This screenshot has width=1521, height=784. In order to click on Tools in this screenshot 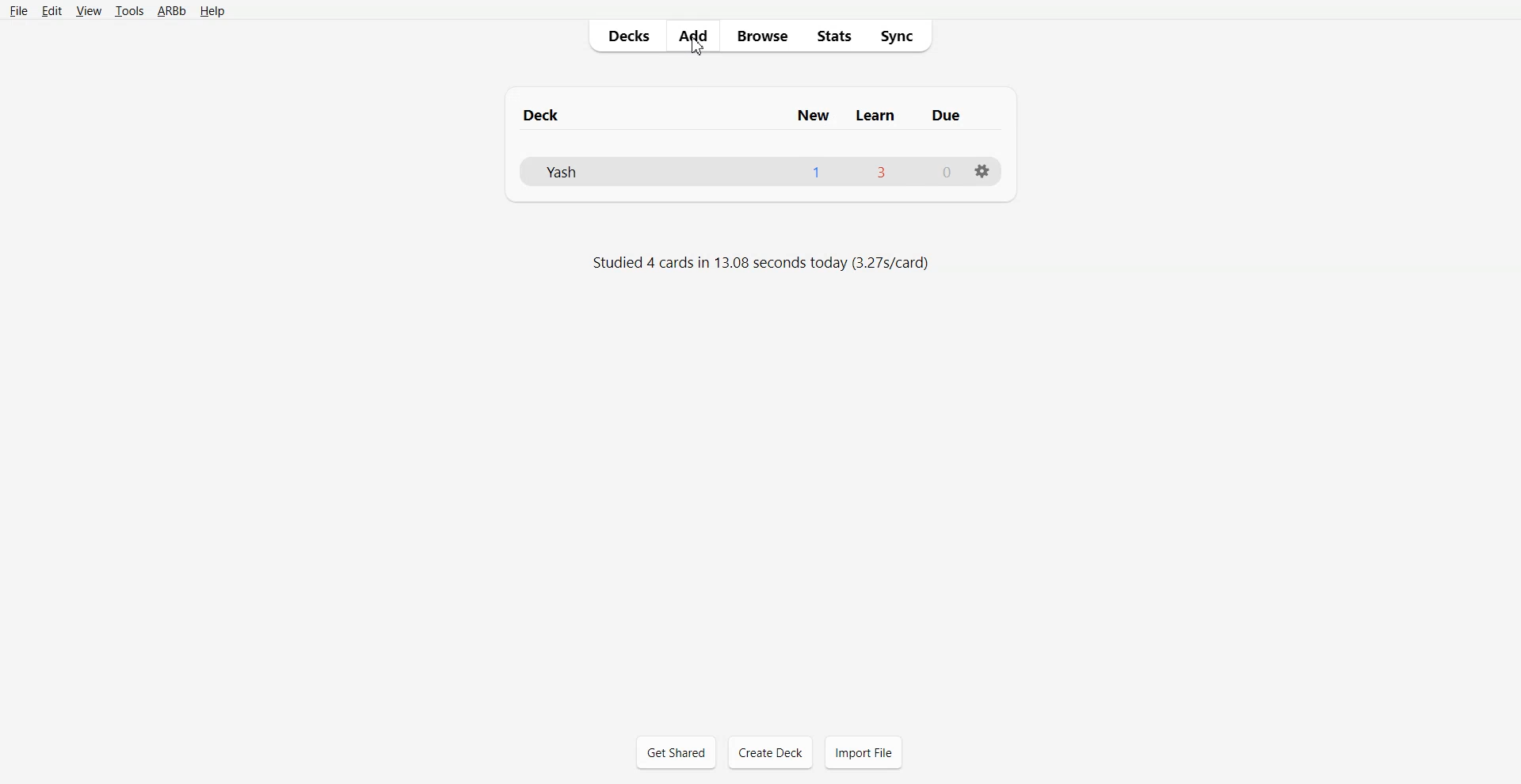, I will do `click(127, 10)`.